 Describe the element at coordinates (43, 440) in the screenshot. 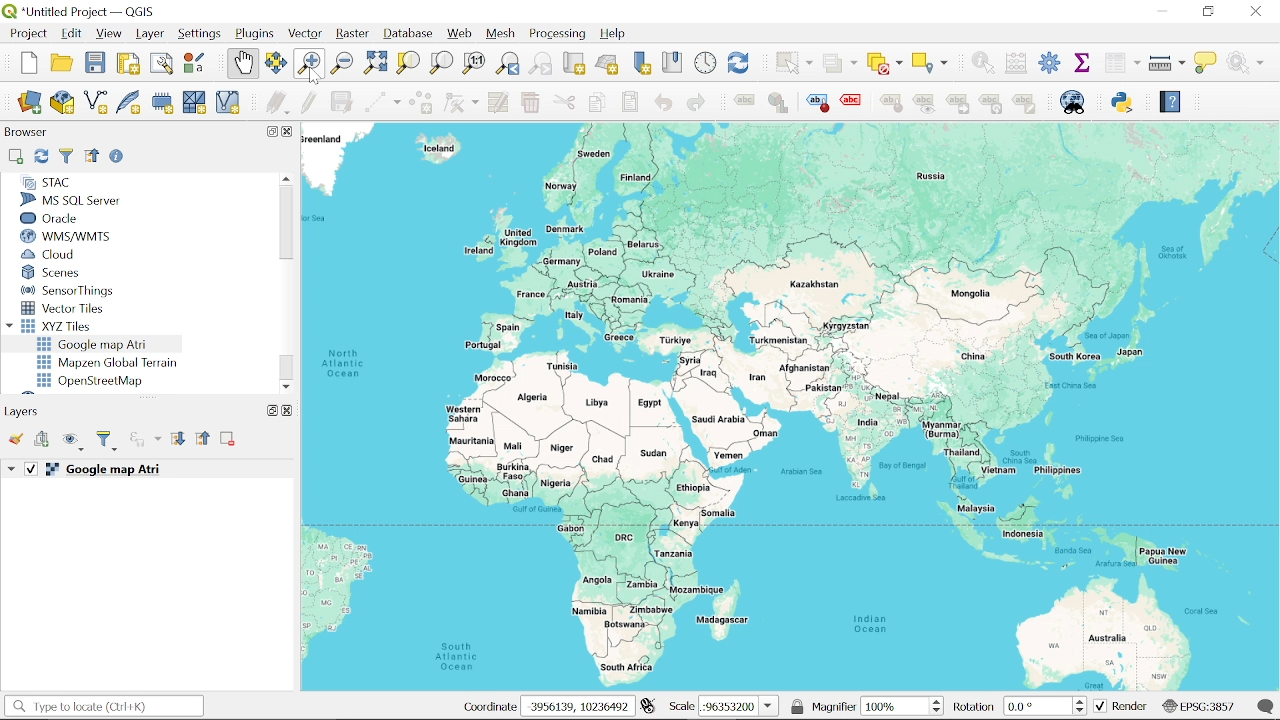

I see `Add group` at that location.